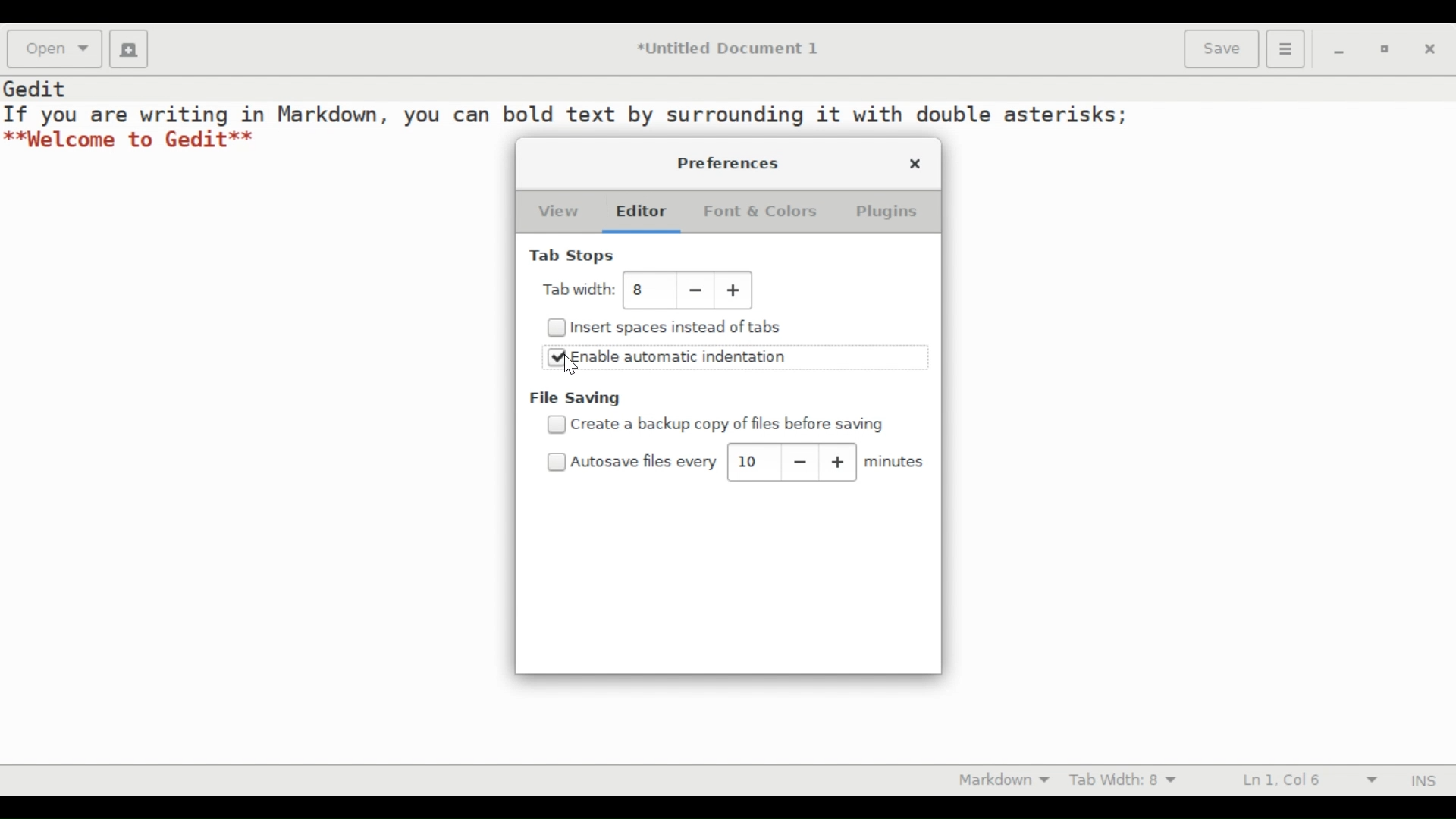 The height and width of the screenshot is (819, 1456). Describe the element at coordinates (557, 463) in the screenshot. I see `Checkbox` at that location.